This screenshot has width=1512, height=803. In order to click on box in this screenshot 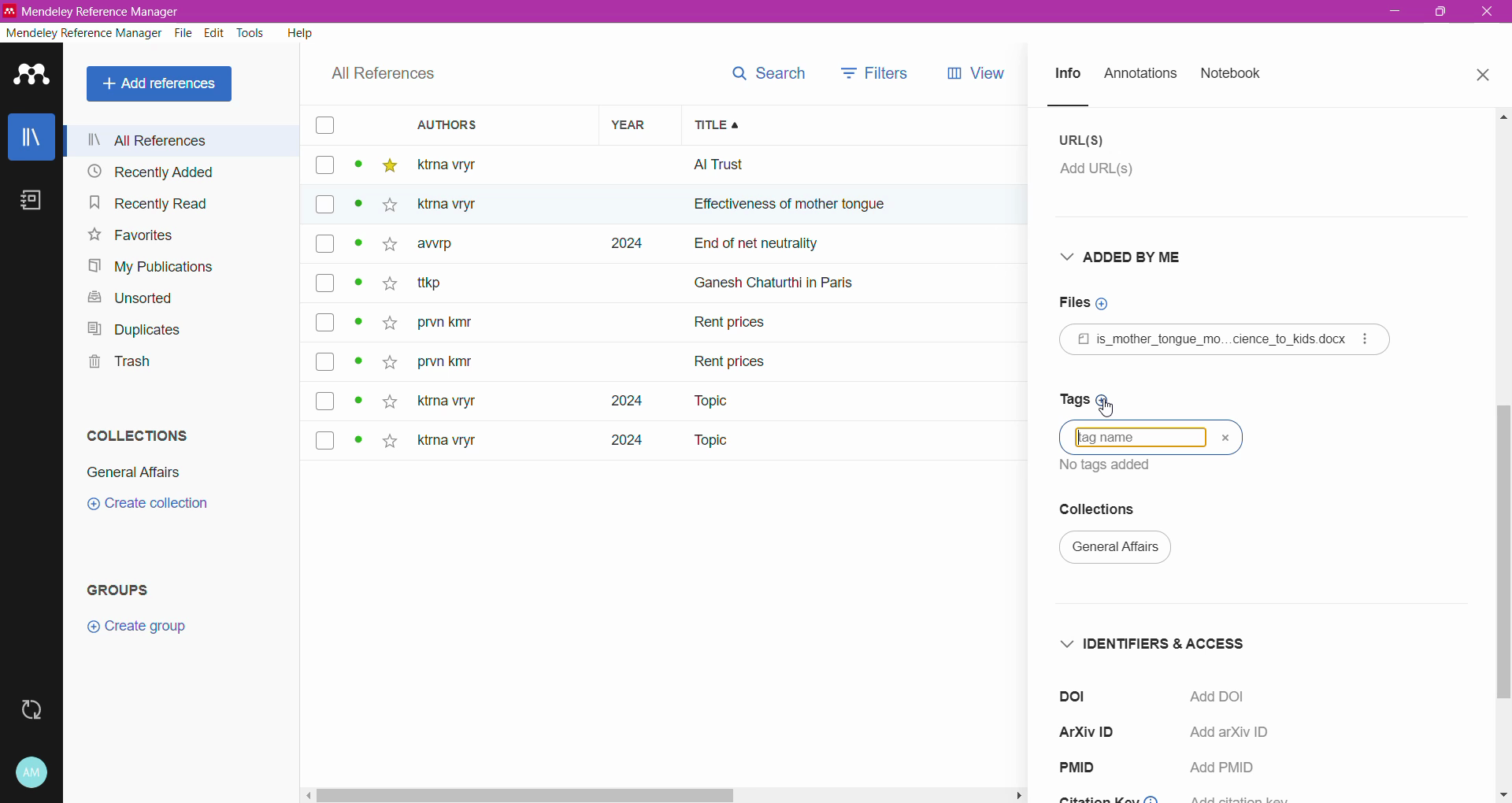, I will do `click(325, 322)`.